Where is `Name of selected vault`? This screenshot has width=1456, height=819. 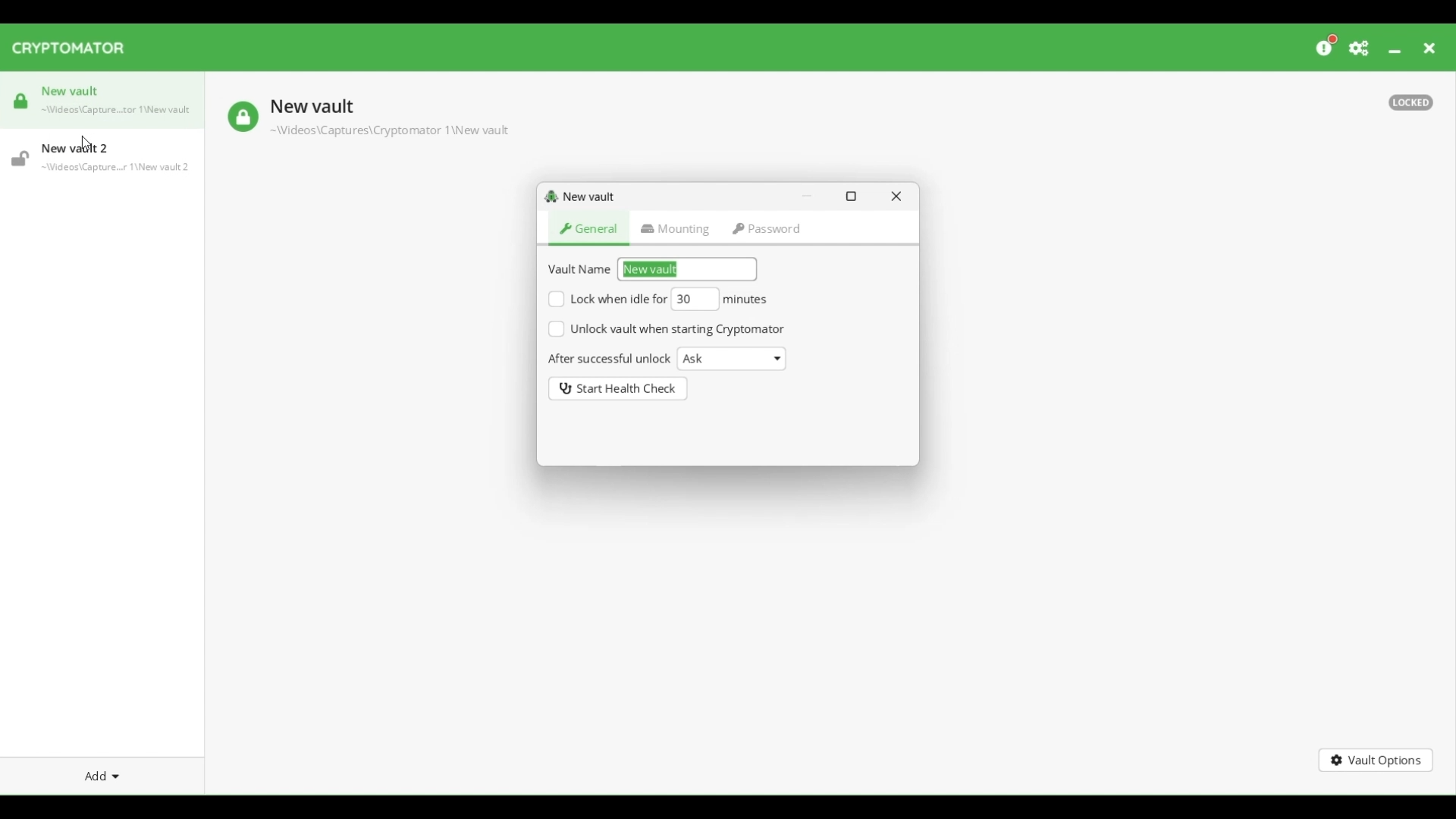
Name of selected vault is located at coordinates (311, 109).